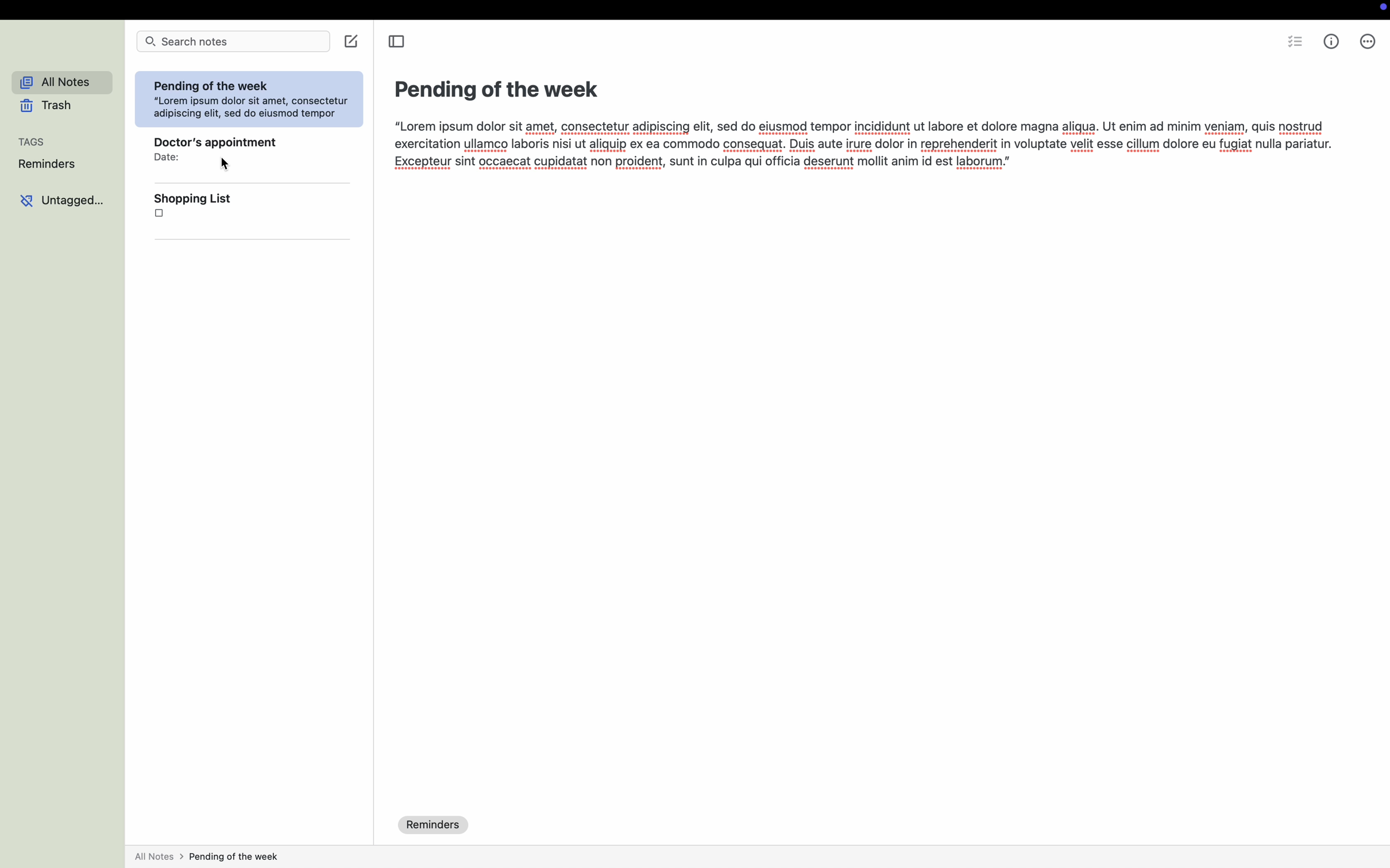 This screenshot has height=868, width=1390. Describe the element at coordinates (395, 41) in the screenshot. I see `toggle sidebar` at that location.